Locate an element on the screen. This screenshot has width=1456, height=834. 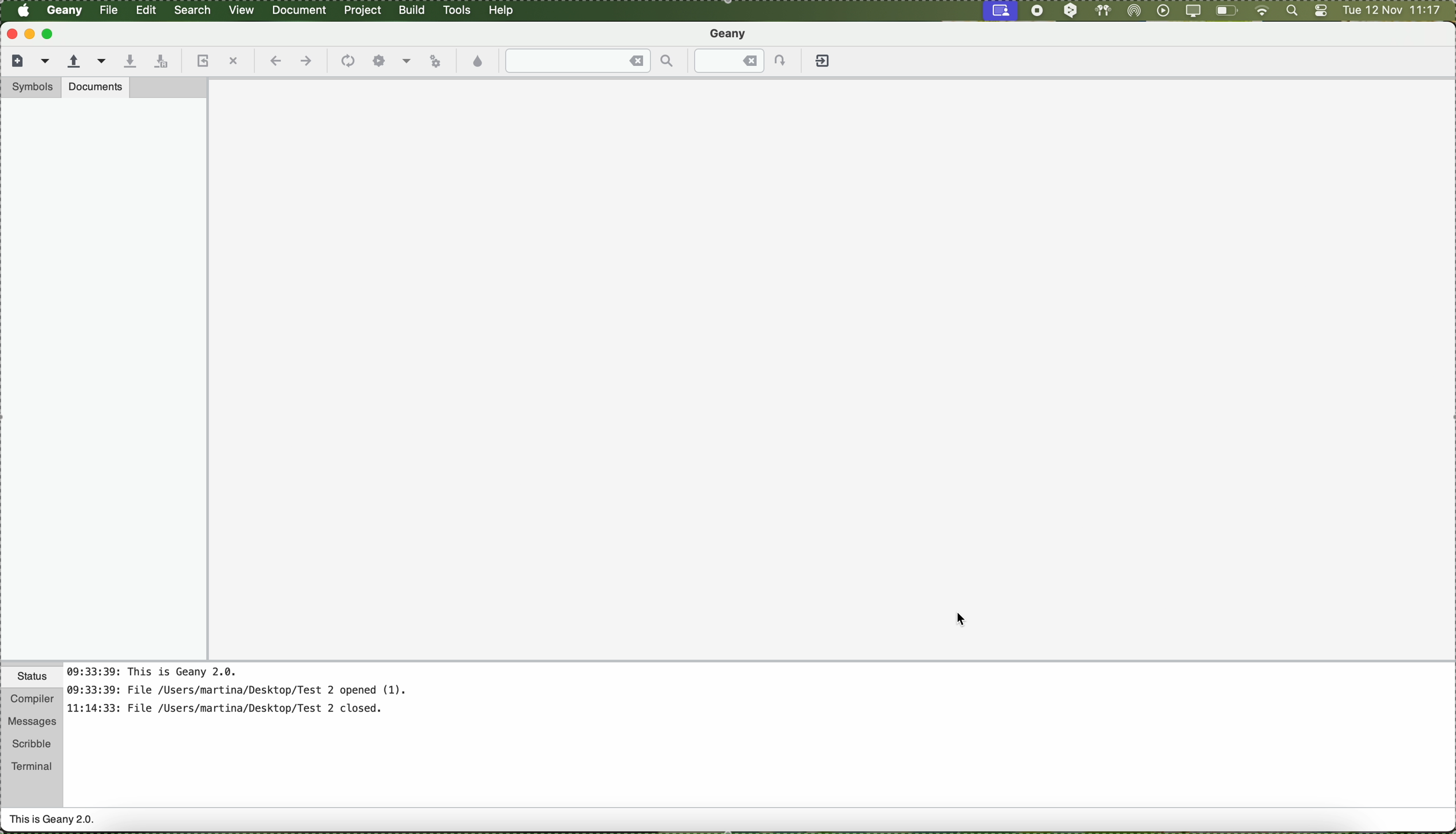
tools is located at coordinates (457, 10).